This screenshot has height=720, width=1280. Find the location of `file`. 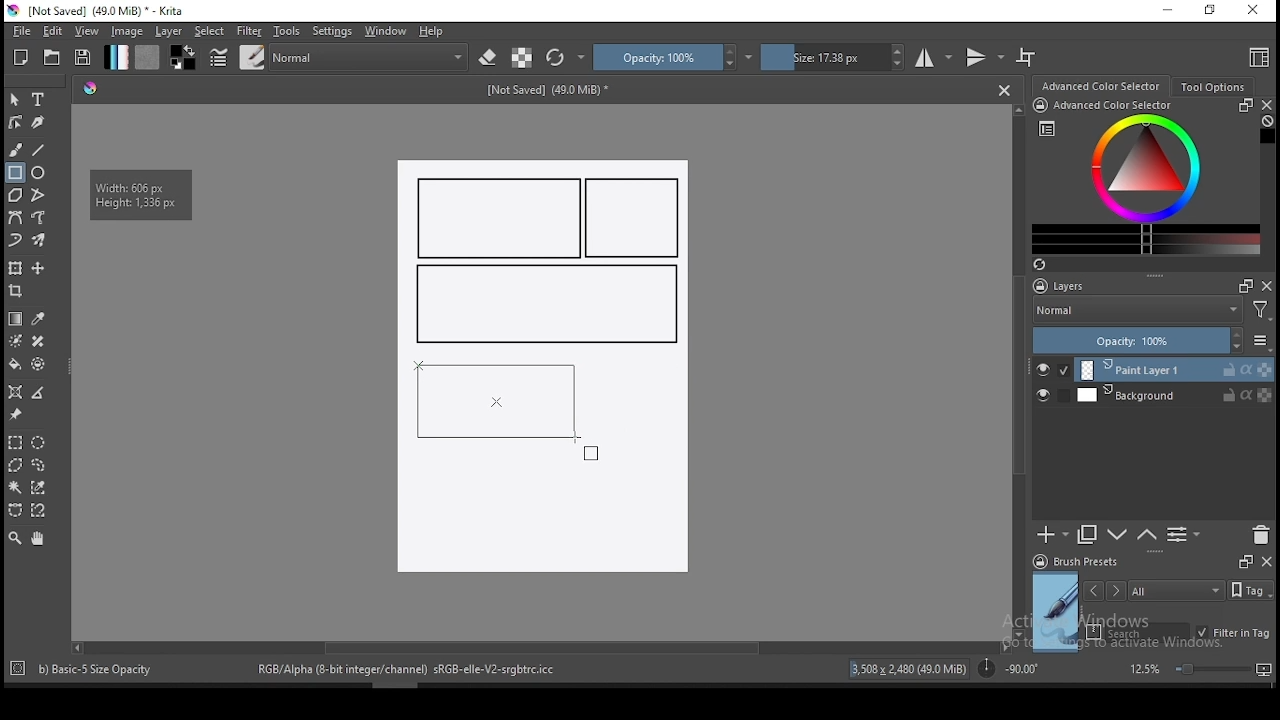

file is located at coordinates (21, 31).